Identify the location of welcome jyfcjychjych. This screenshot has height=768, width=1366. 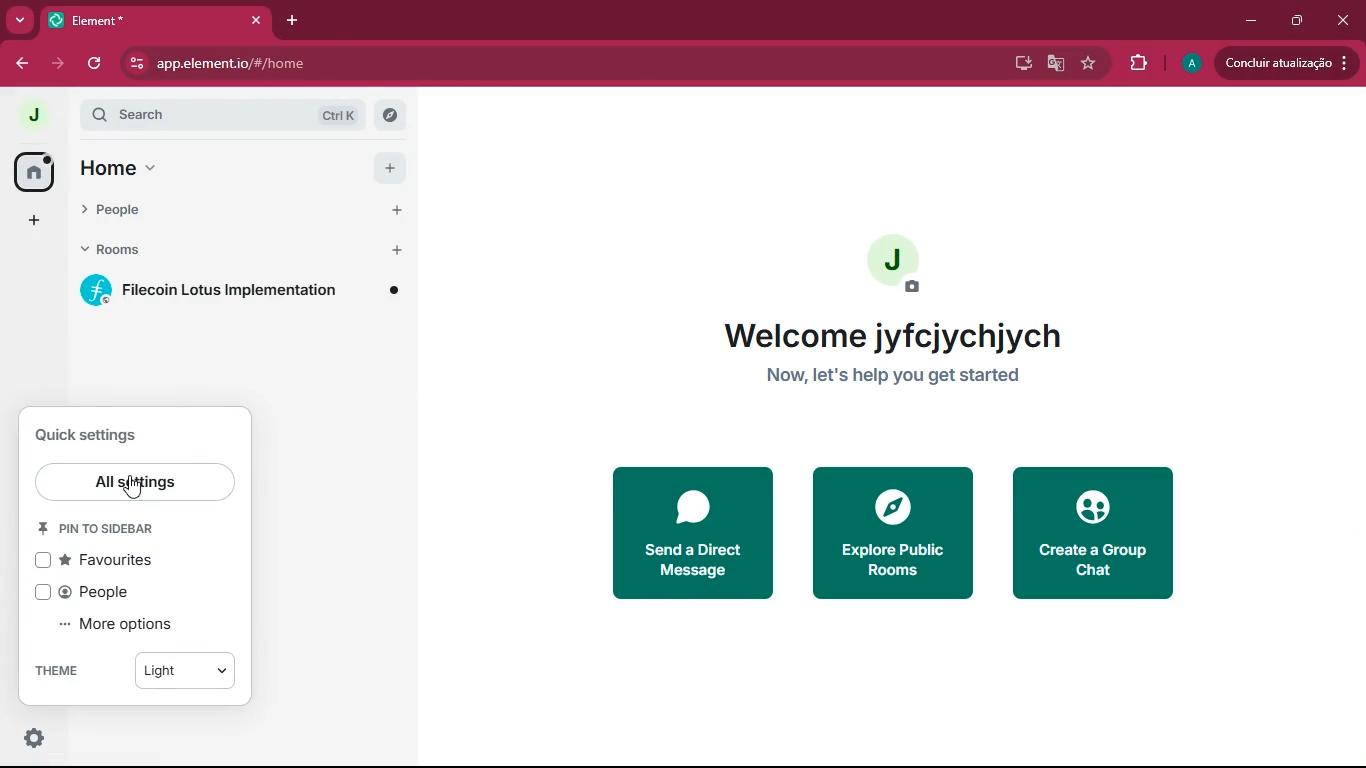
(900, 334).